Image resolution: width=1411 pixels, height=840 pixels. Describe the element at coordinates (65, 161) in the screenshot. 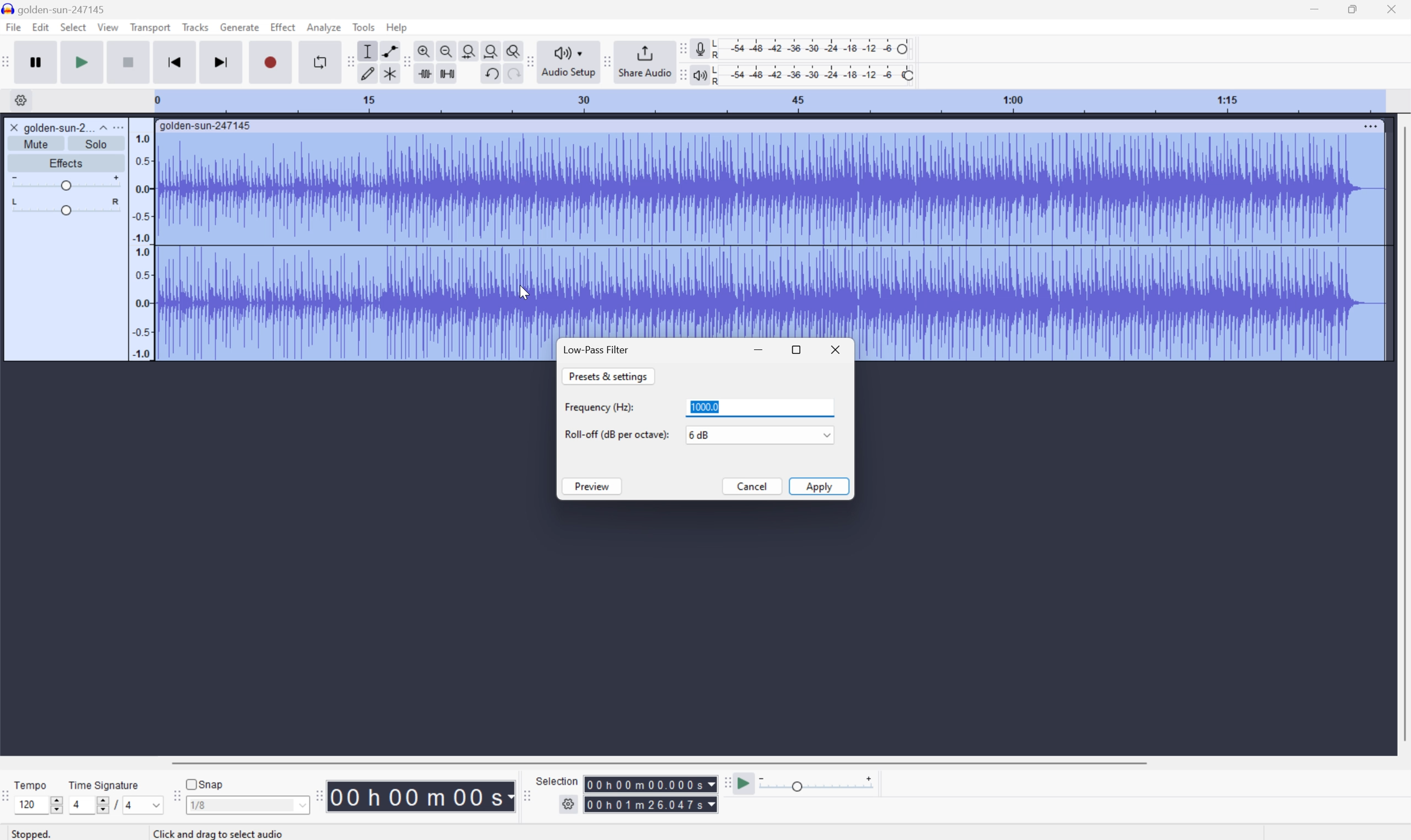

I see `Effects` at that location.